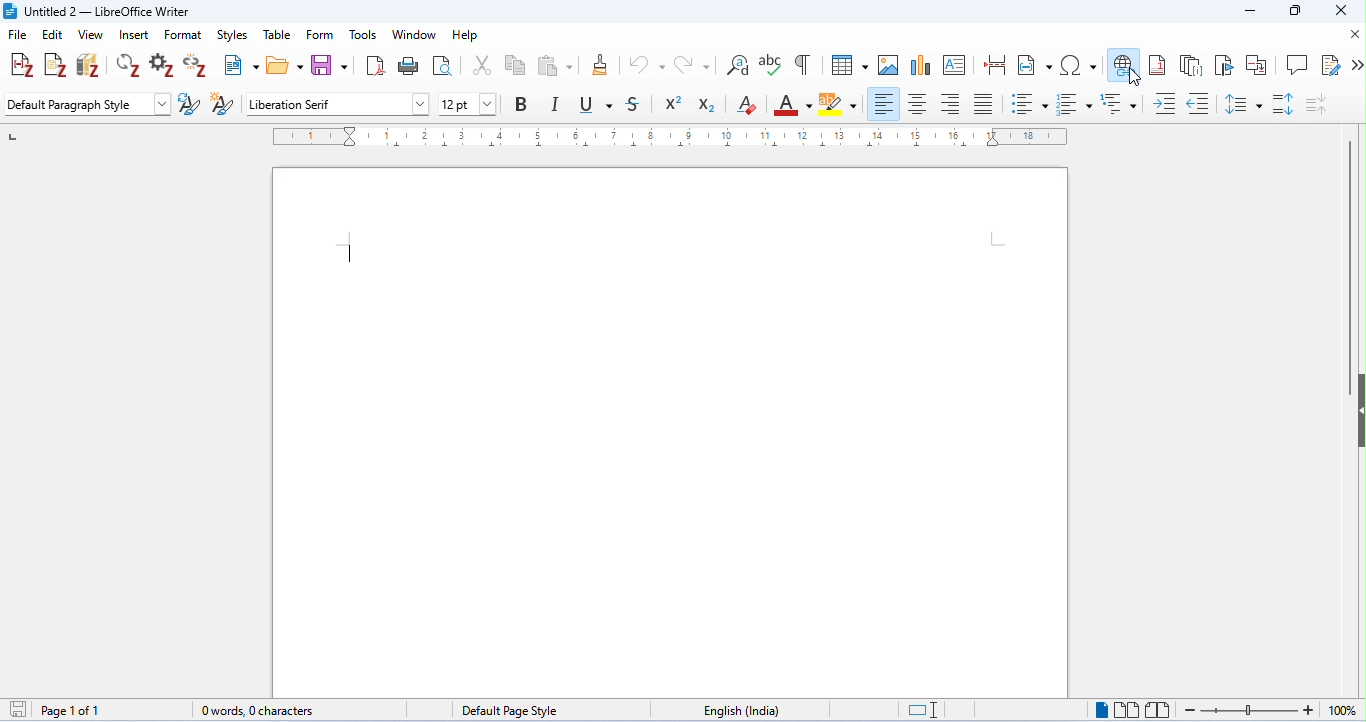 The height and width of the screenshot is (722, 1366). What do you see at coordinates (92, 36) in the screenshot?
I see `view` at bounding box center [92, 36].